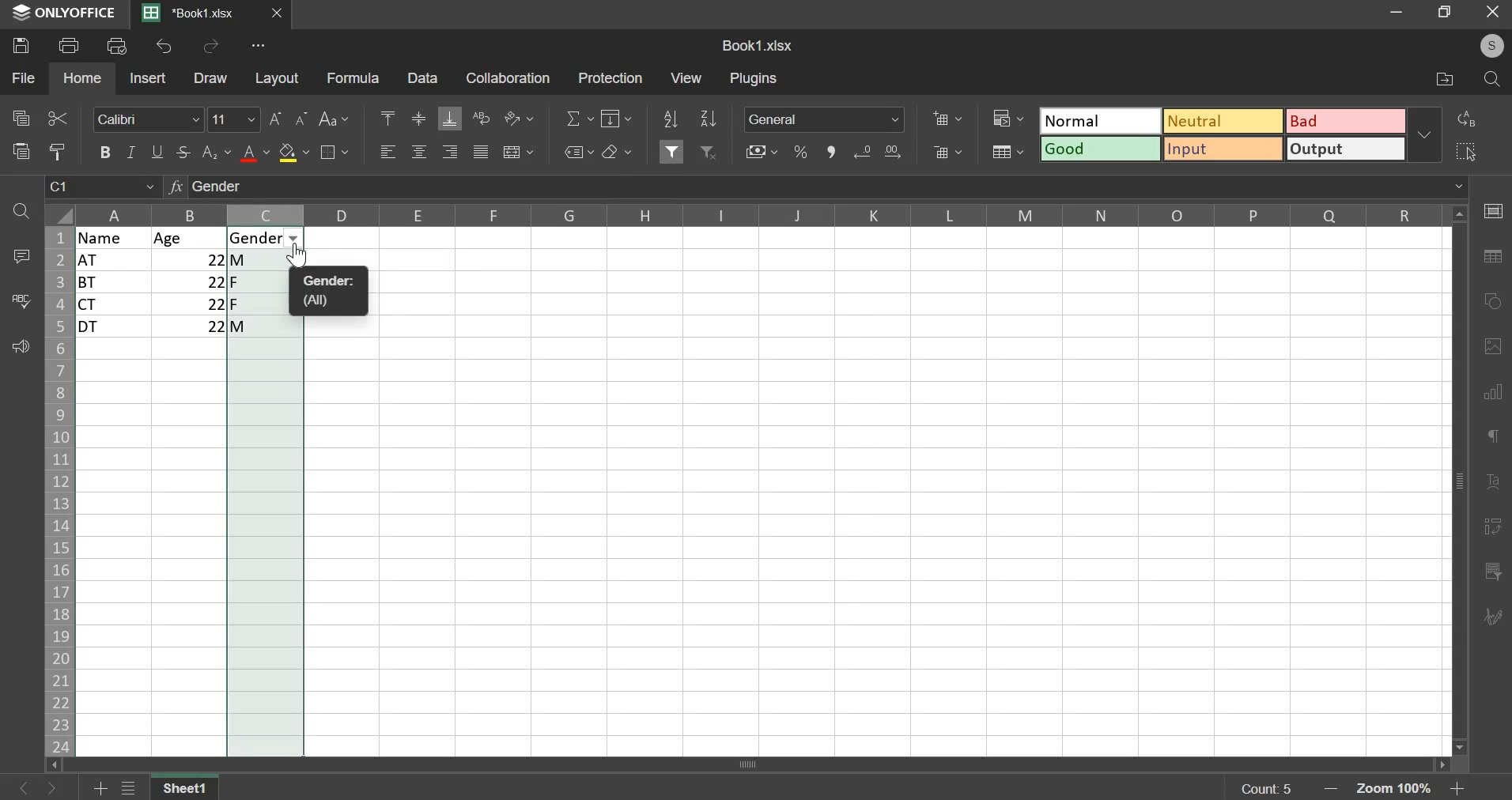 This screenshot has width=1512, height=800. Describe the element at coordinates (1491, 529) in the screenshot. I see `pivot table` at that location.